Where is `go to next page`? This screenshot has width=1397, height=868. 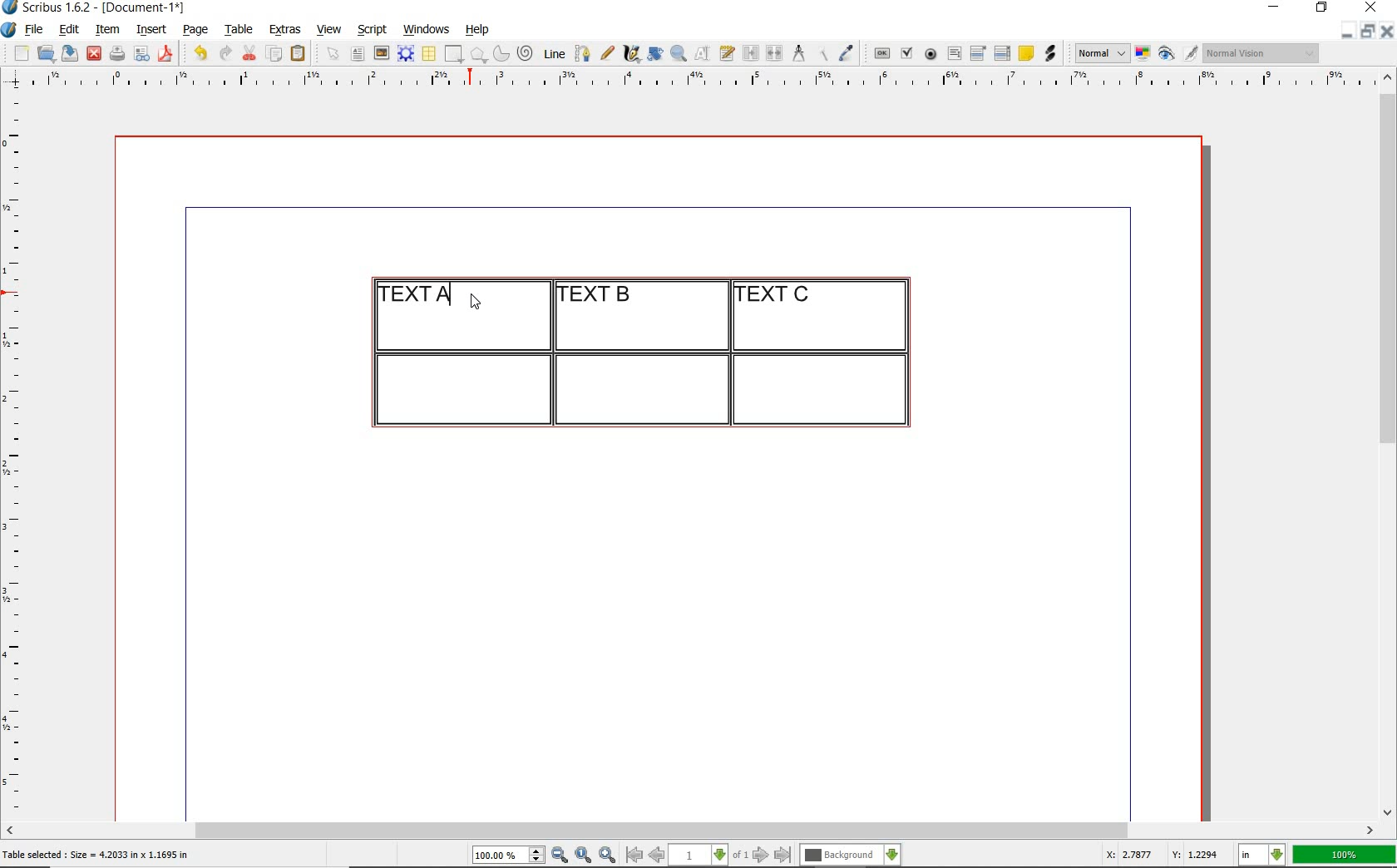 go to next page is located at coordinates (761, 856).